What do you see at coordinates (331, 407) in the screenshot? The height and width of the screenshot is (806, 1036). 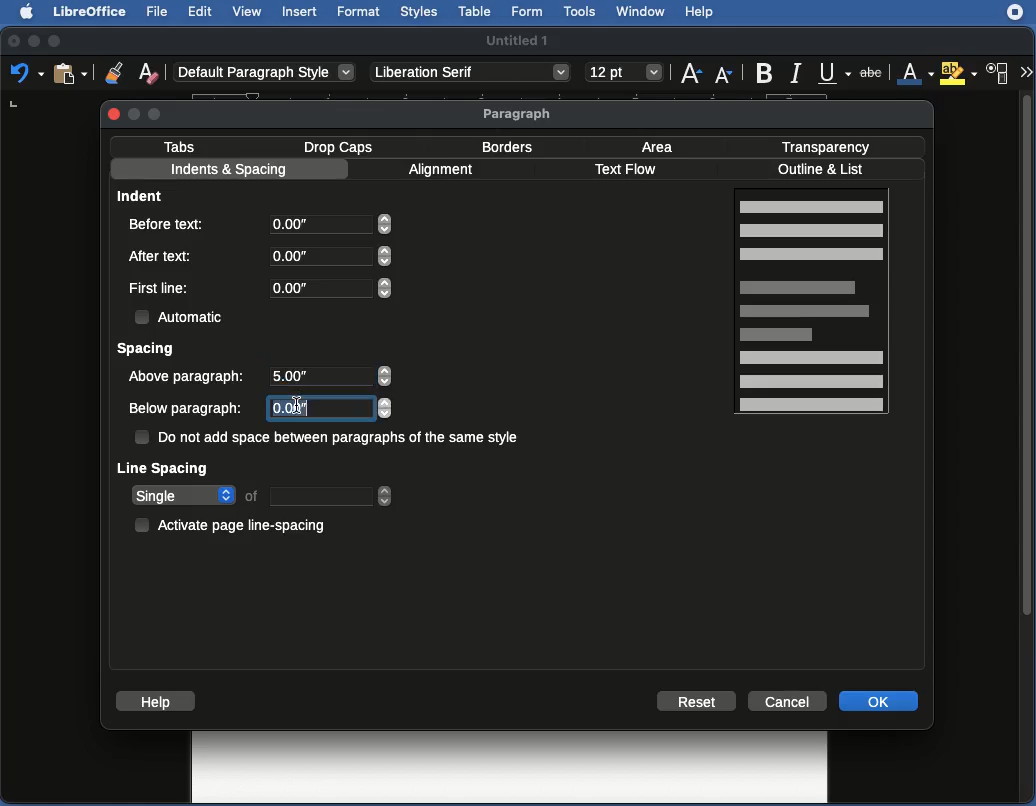 I see `0.00"` at bounding box center [331, 407].